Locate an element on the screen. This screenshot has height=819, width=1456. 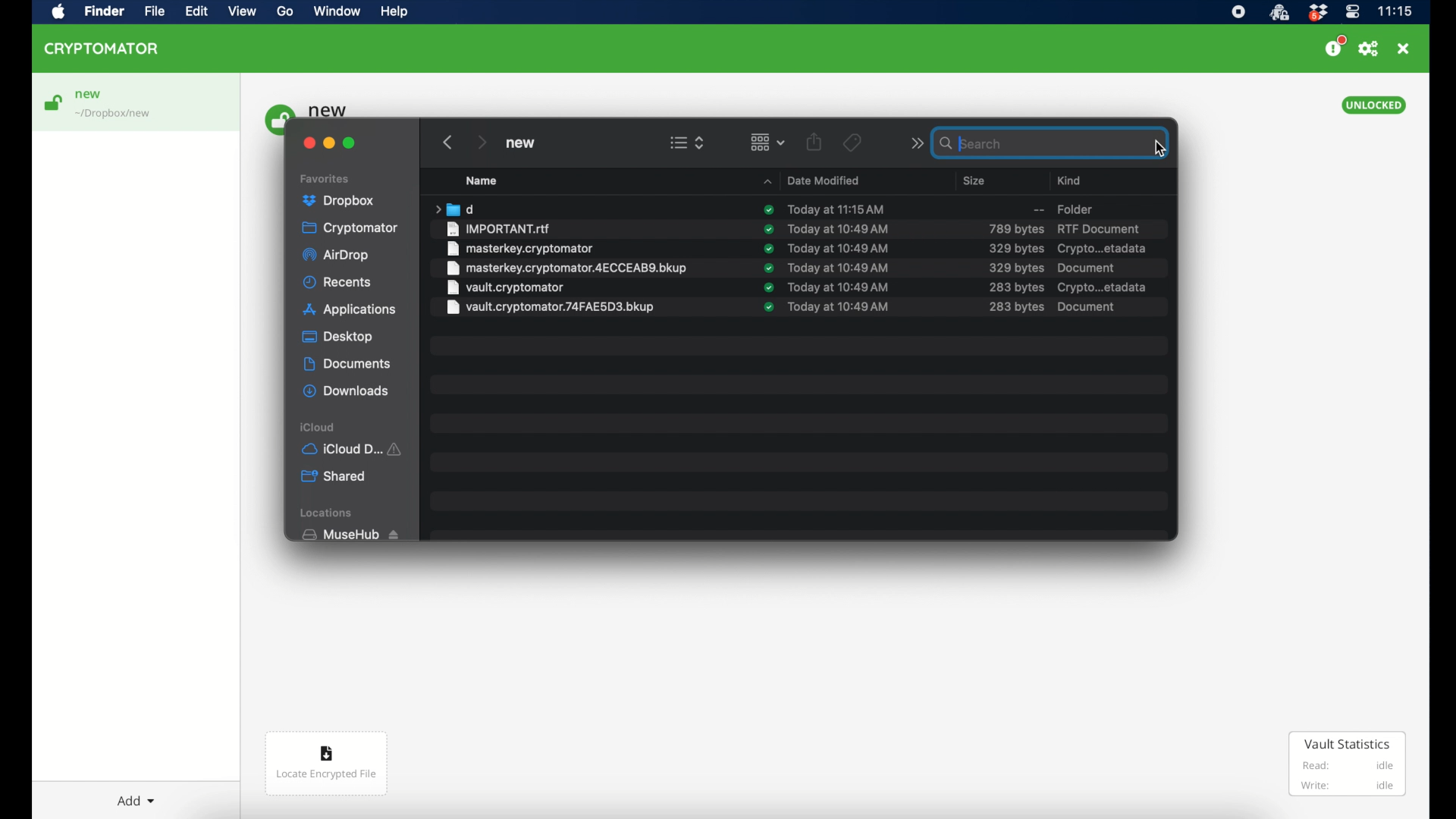
file is located at coordinates (498, 228).